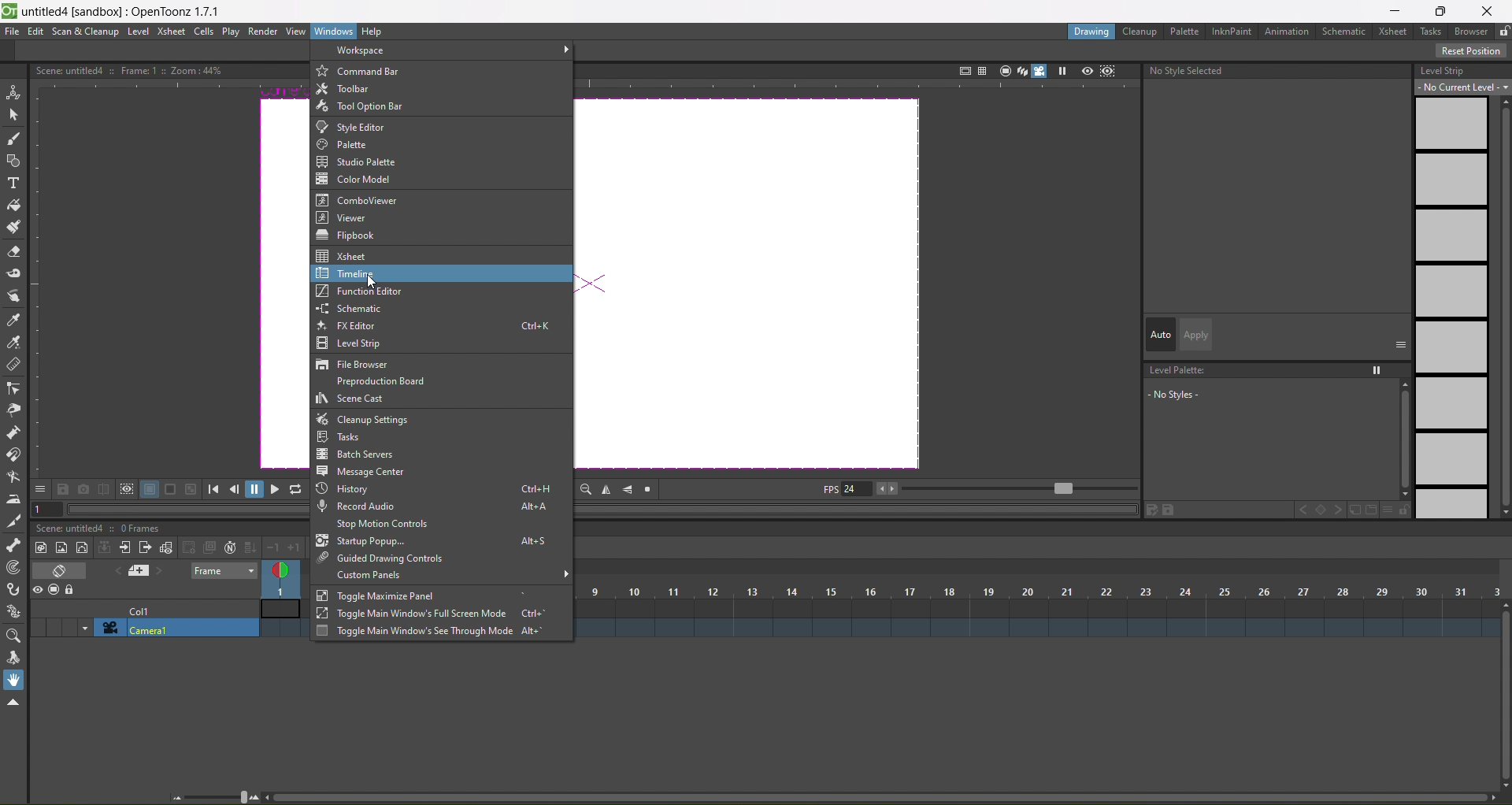 The width and height of the screenshot is (1512, 805). What do you see at coordinates (13, 185) in the screenshot?
I see `type tool` at bounding box center [13, 185].